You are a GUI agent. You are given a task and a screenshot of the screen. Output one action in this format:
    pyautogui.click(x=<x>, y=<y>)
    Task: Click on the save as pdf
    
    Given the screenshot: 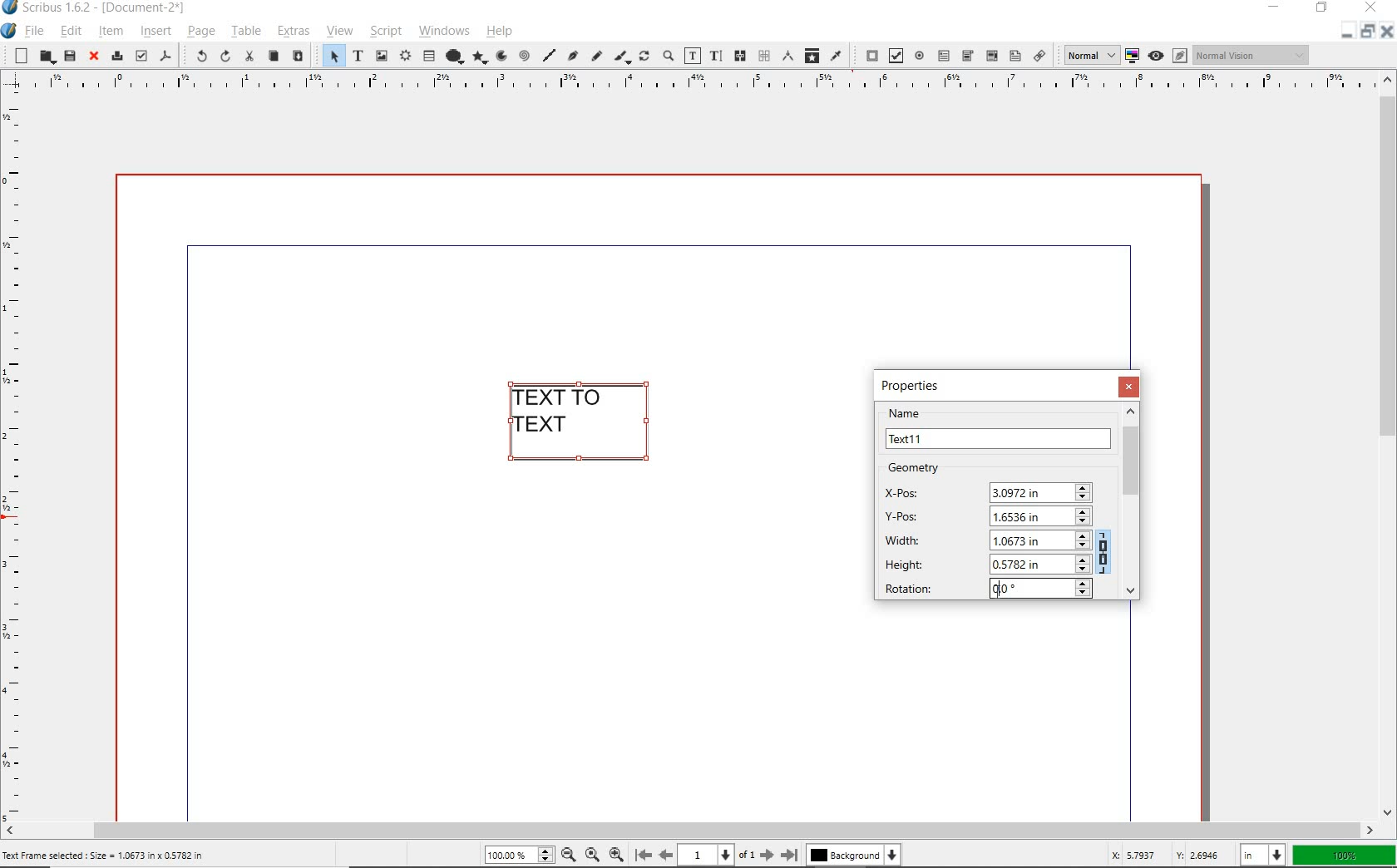 What is the action you would take?
    pyautogui.click(x=165, y=57)
    